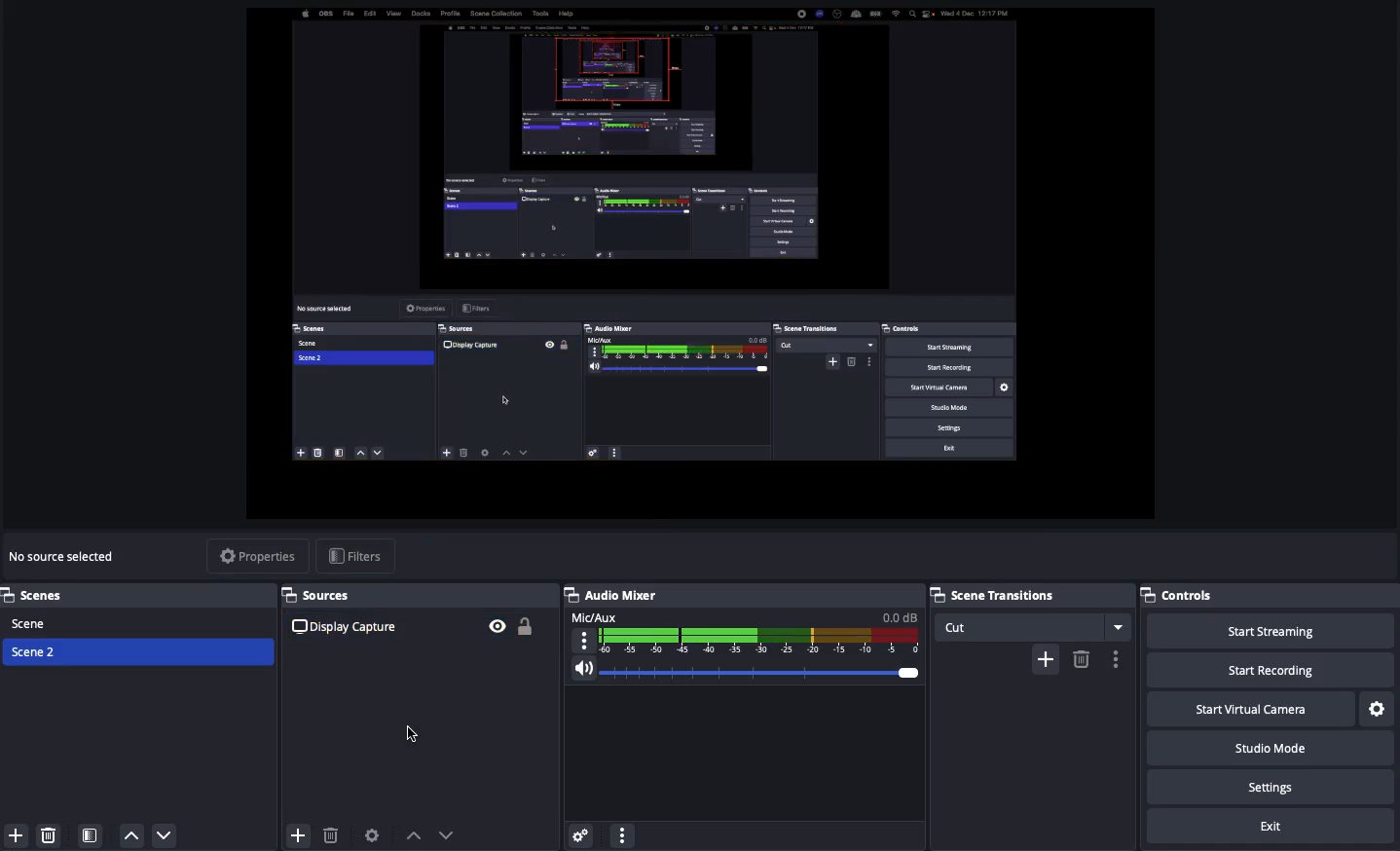  I want to click on Move down, so click(166, 836).